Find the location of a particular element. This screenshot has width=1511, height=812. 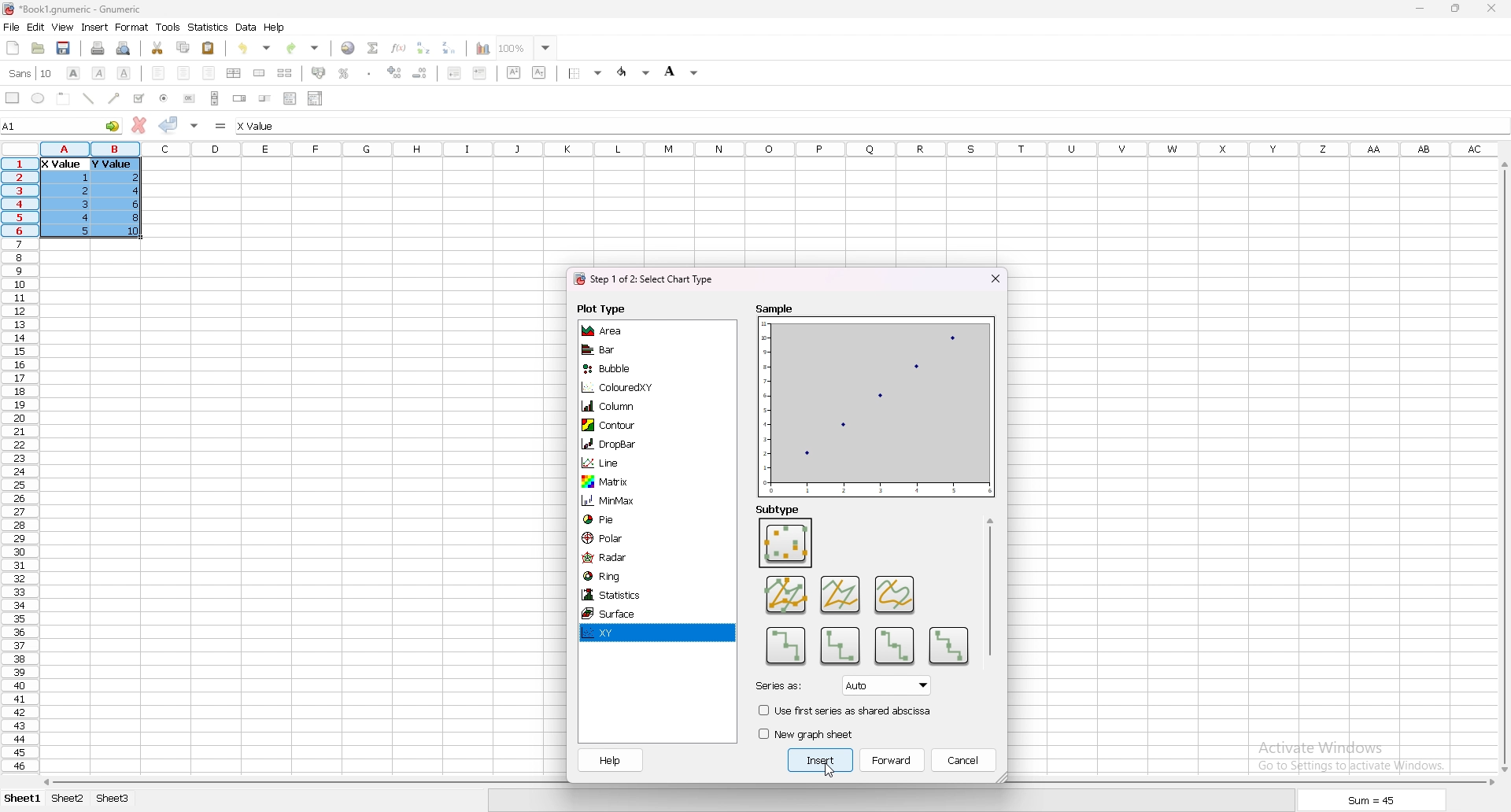

subtype is located at coordinates (949, 644).